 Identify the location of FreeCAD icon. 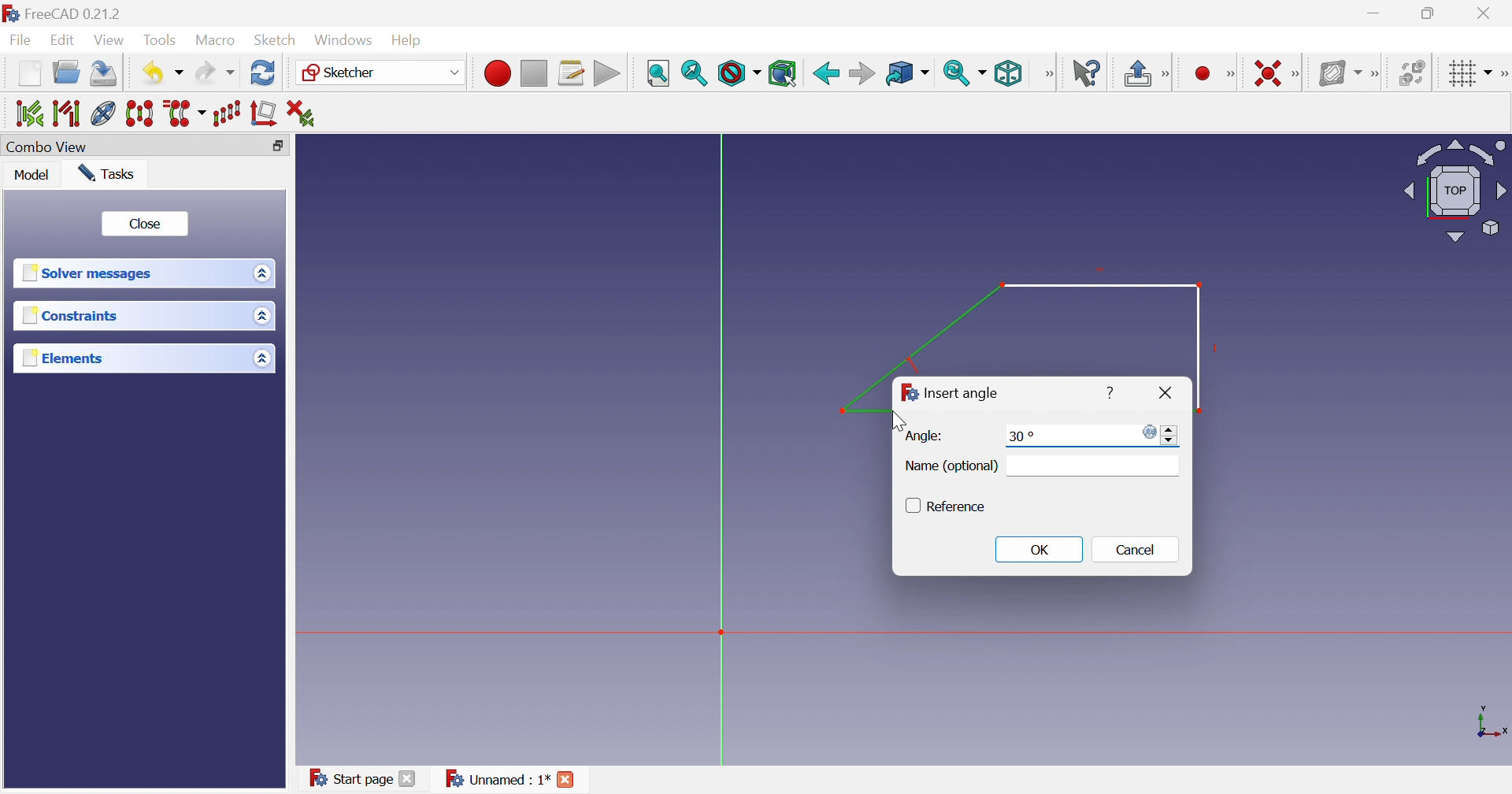
(906, 394).